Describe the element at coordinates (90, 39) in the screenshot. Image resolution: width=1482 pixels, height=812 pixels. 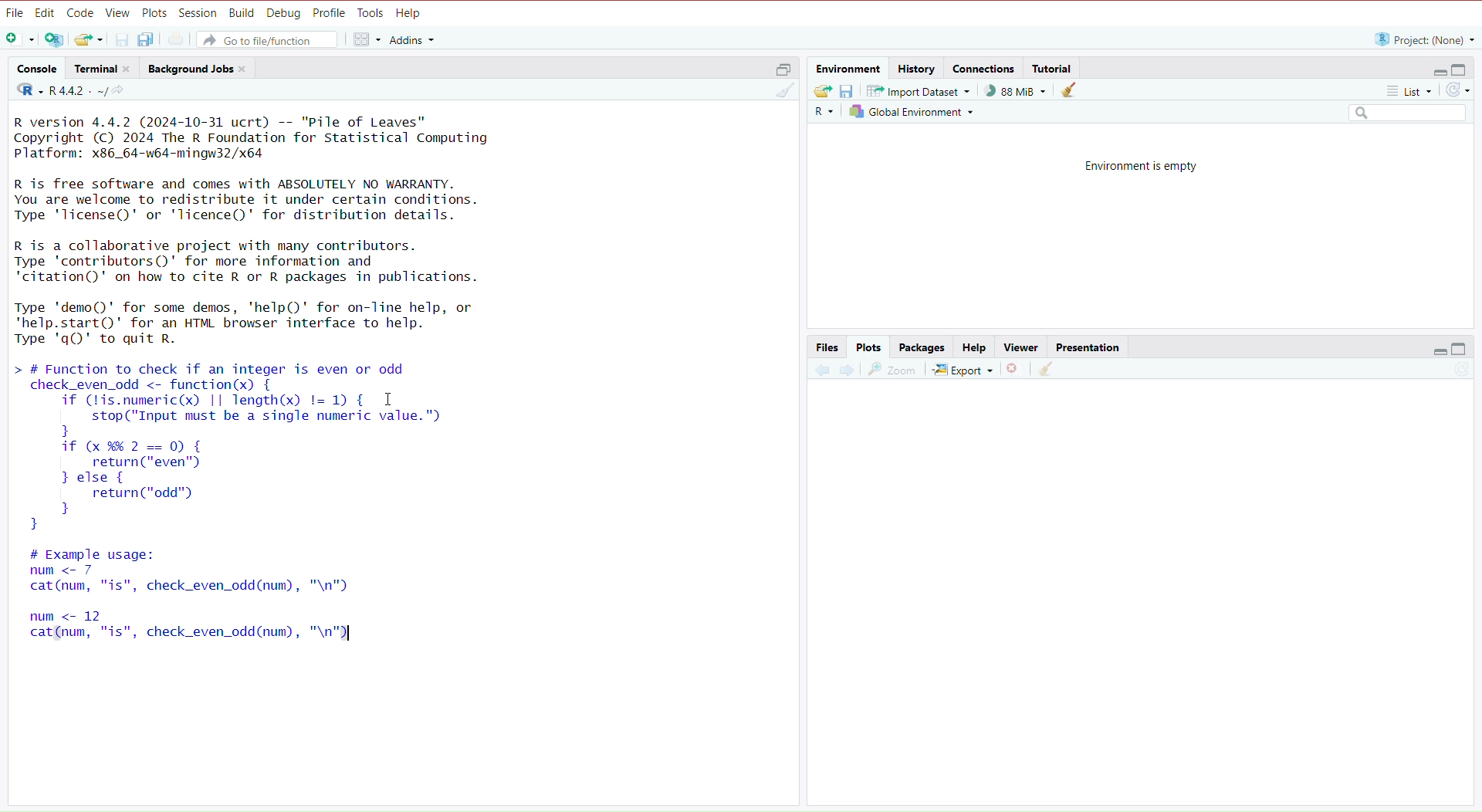
I see `open an existing file` at that location.